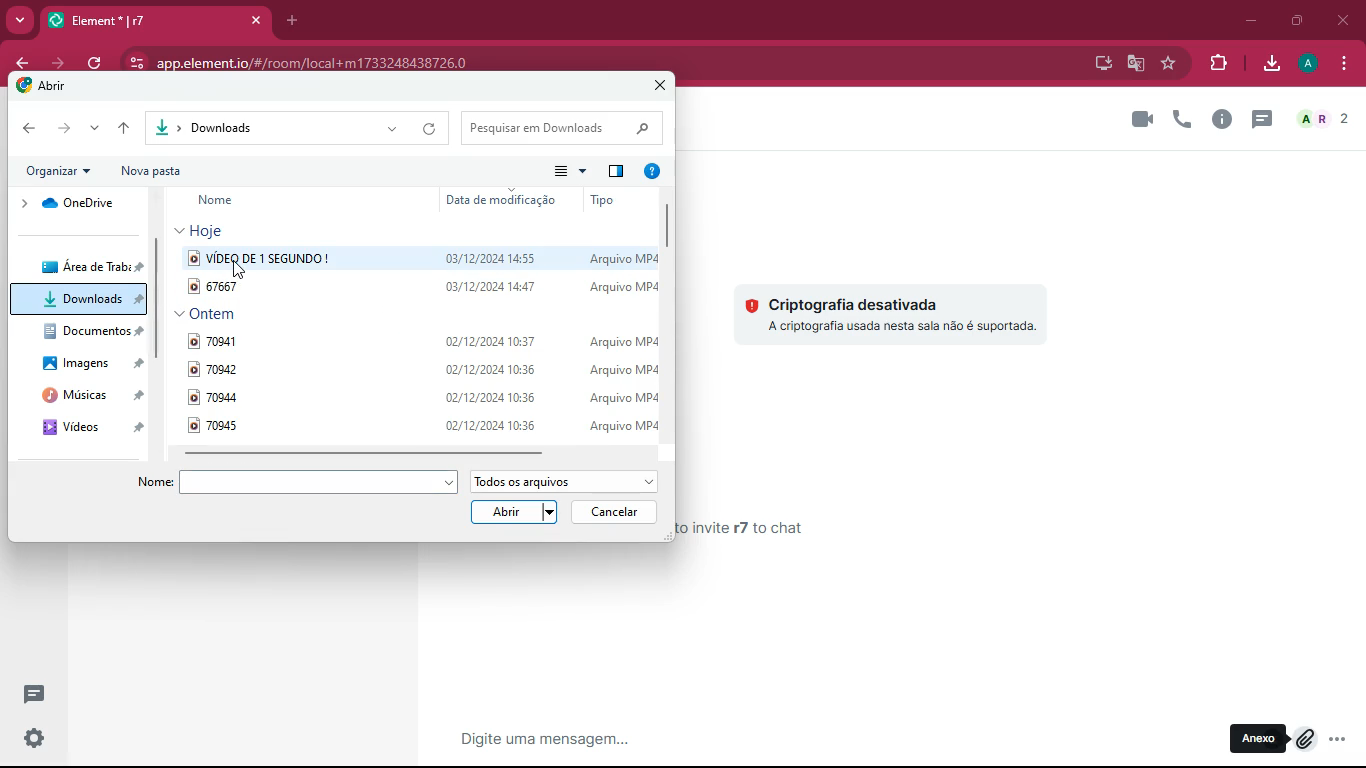 The width and height of the screenshot is (1366, 768). Describe the element at coordinates (565, 481) in the screenshot. I see `todos os arquivos` at that location.